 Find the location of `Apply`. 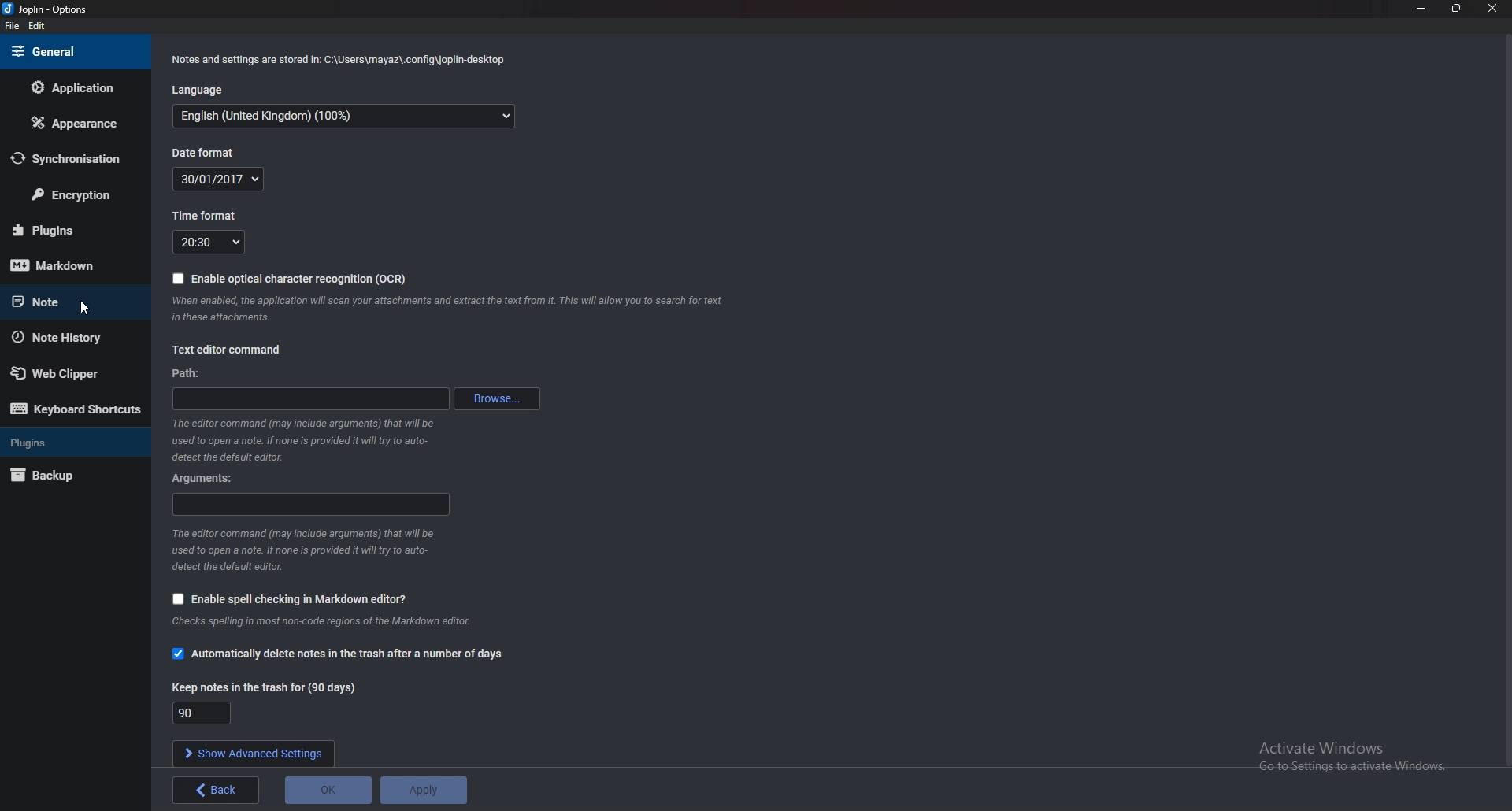

Apply is located at coordinates (423, 791).